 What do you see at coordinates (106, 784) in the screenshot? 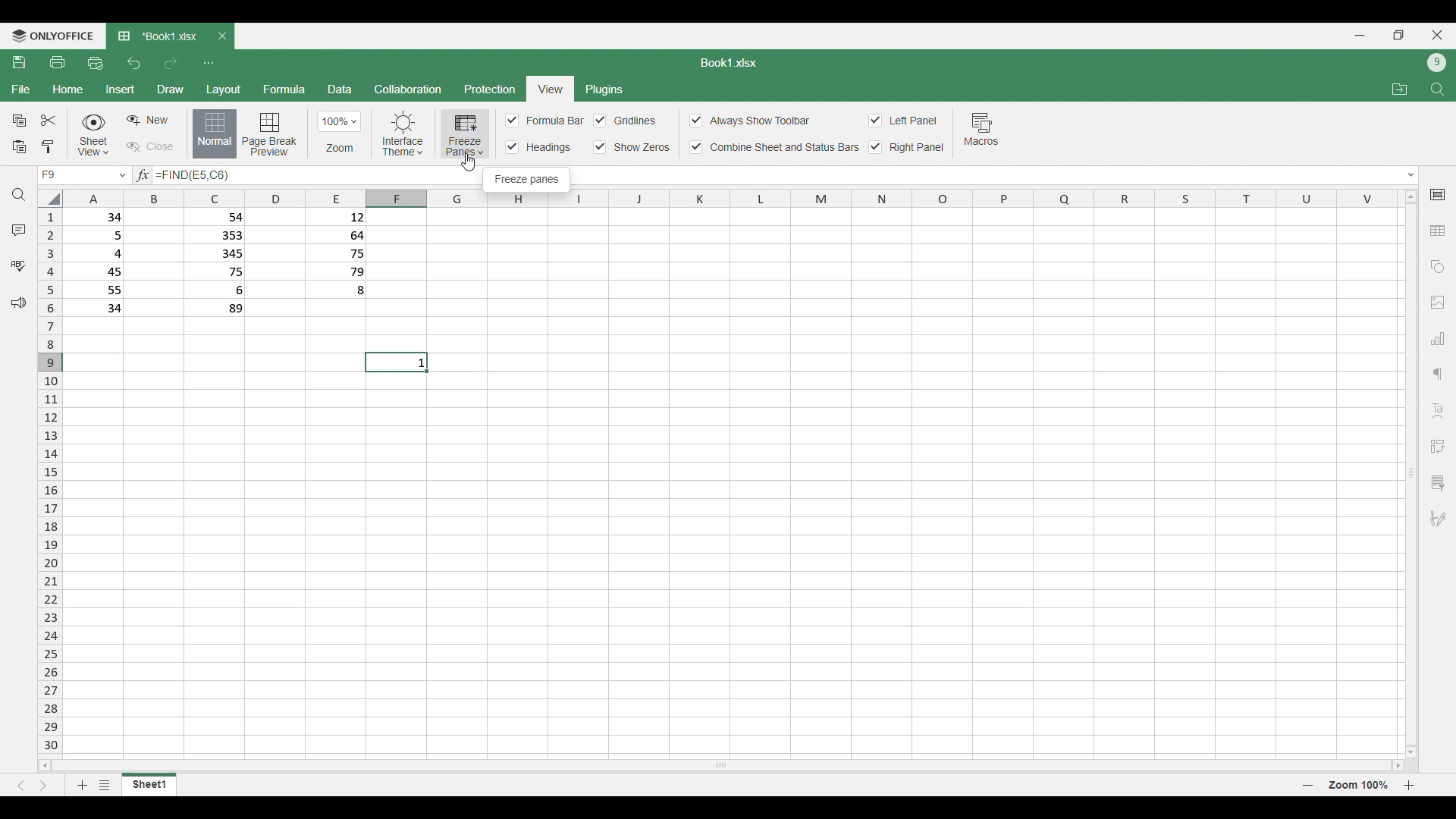
I see `List of sheets` at bounding box center [106, 784].